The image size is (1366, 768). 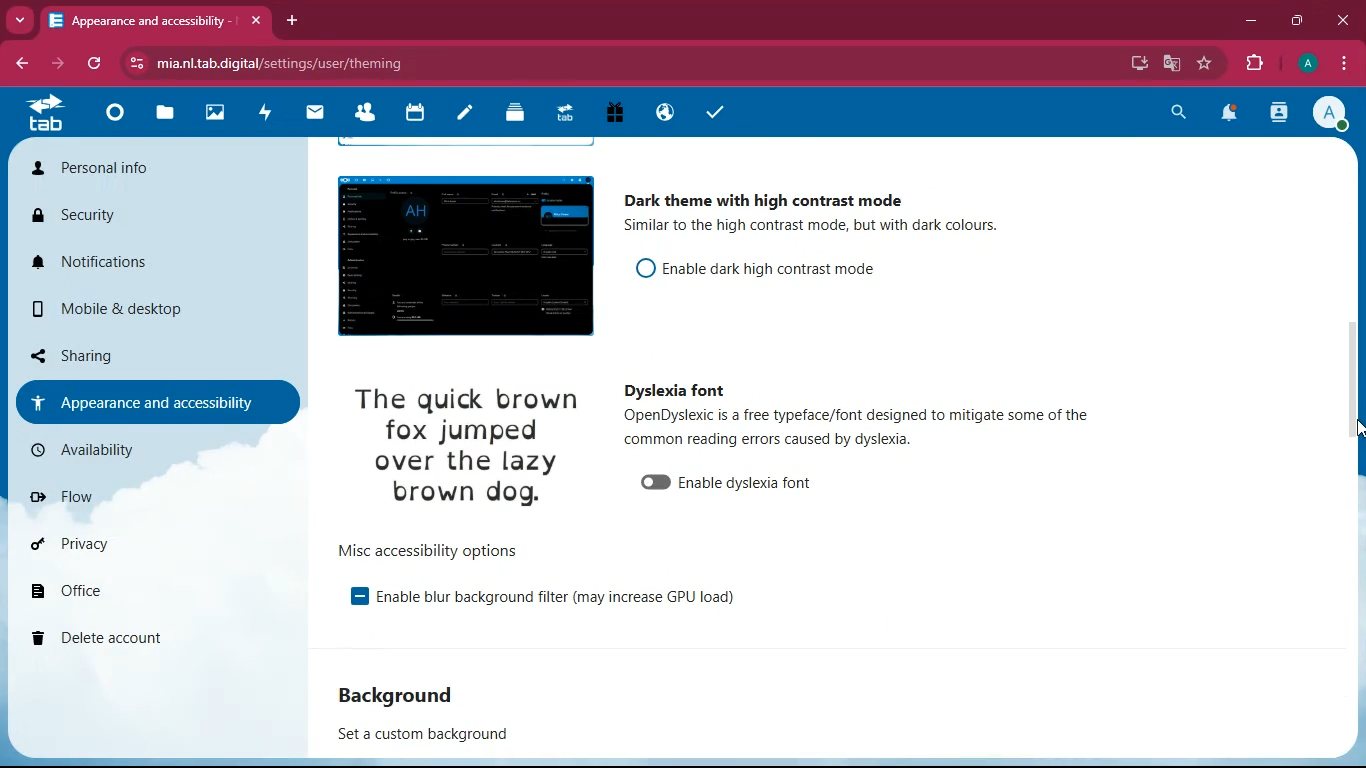 What do you see at coordinates (141, 544) in the screenshot?
I see `privacy` at bounding box center [141, 544].